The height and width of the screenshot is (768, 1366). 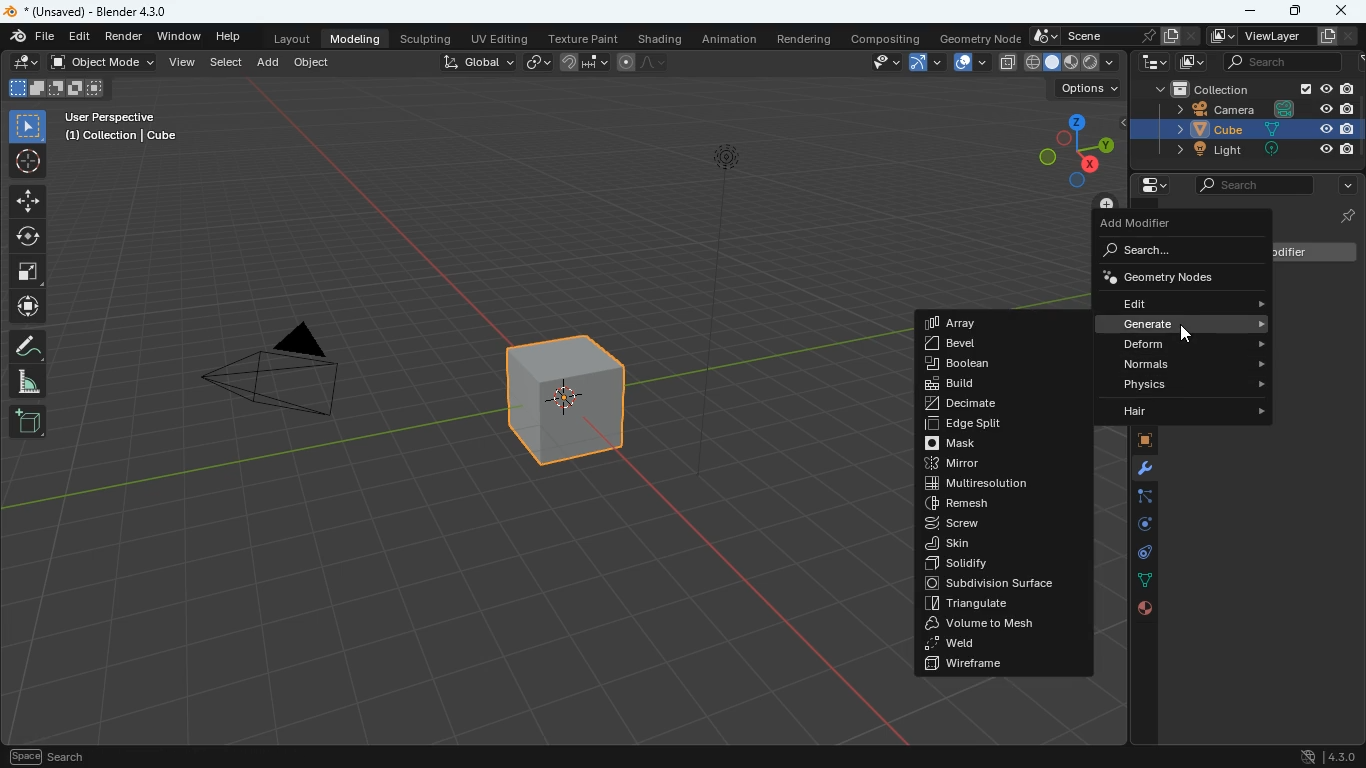 I want to click on subdivision surface, so click(x=1002, y=584).